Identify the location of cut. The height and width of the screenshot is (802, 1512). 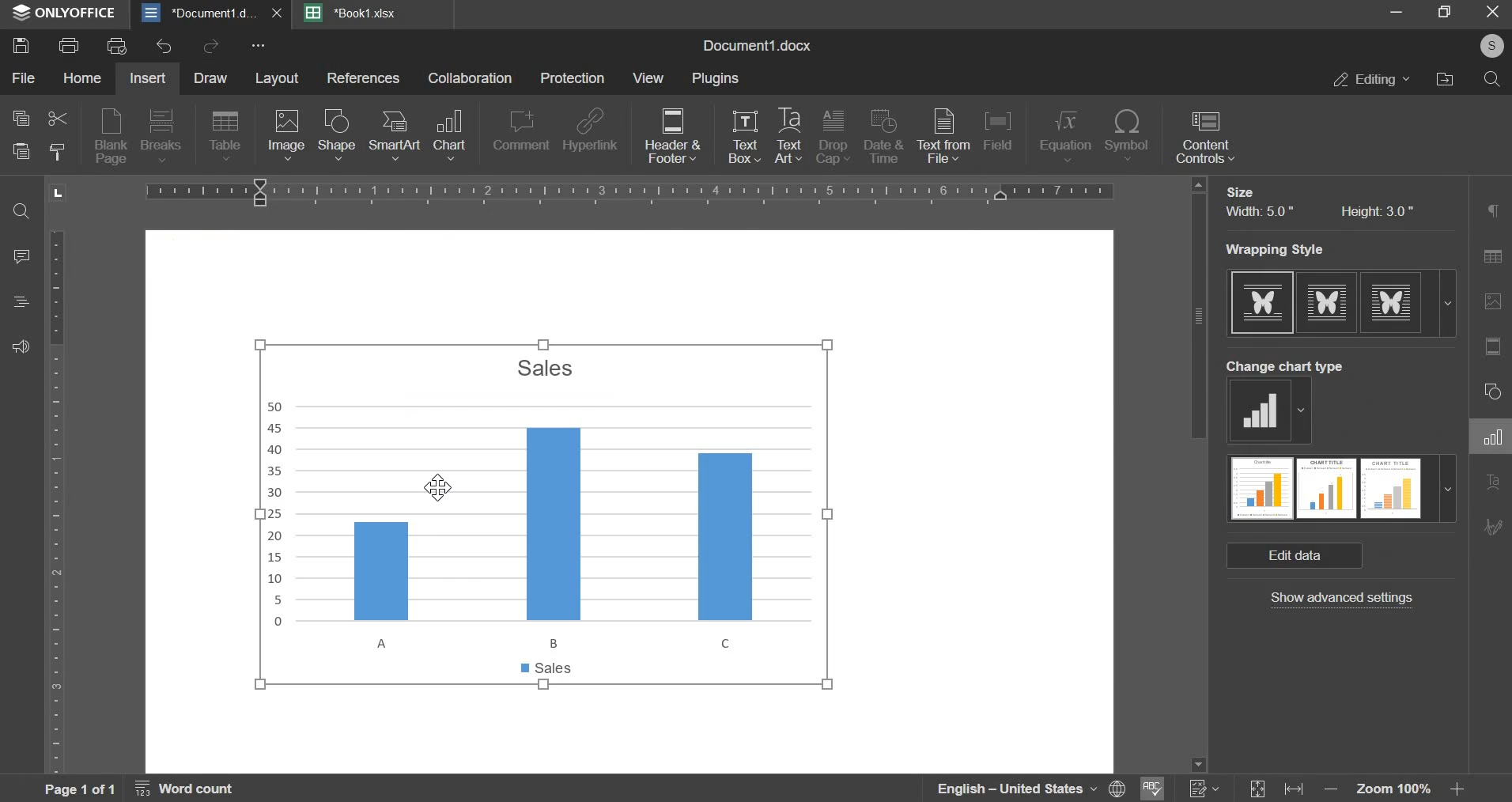
(57, 117).